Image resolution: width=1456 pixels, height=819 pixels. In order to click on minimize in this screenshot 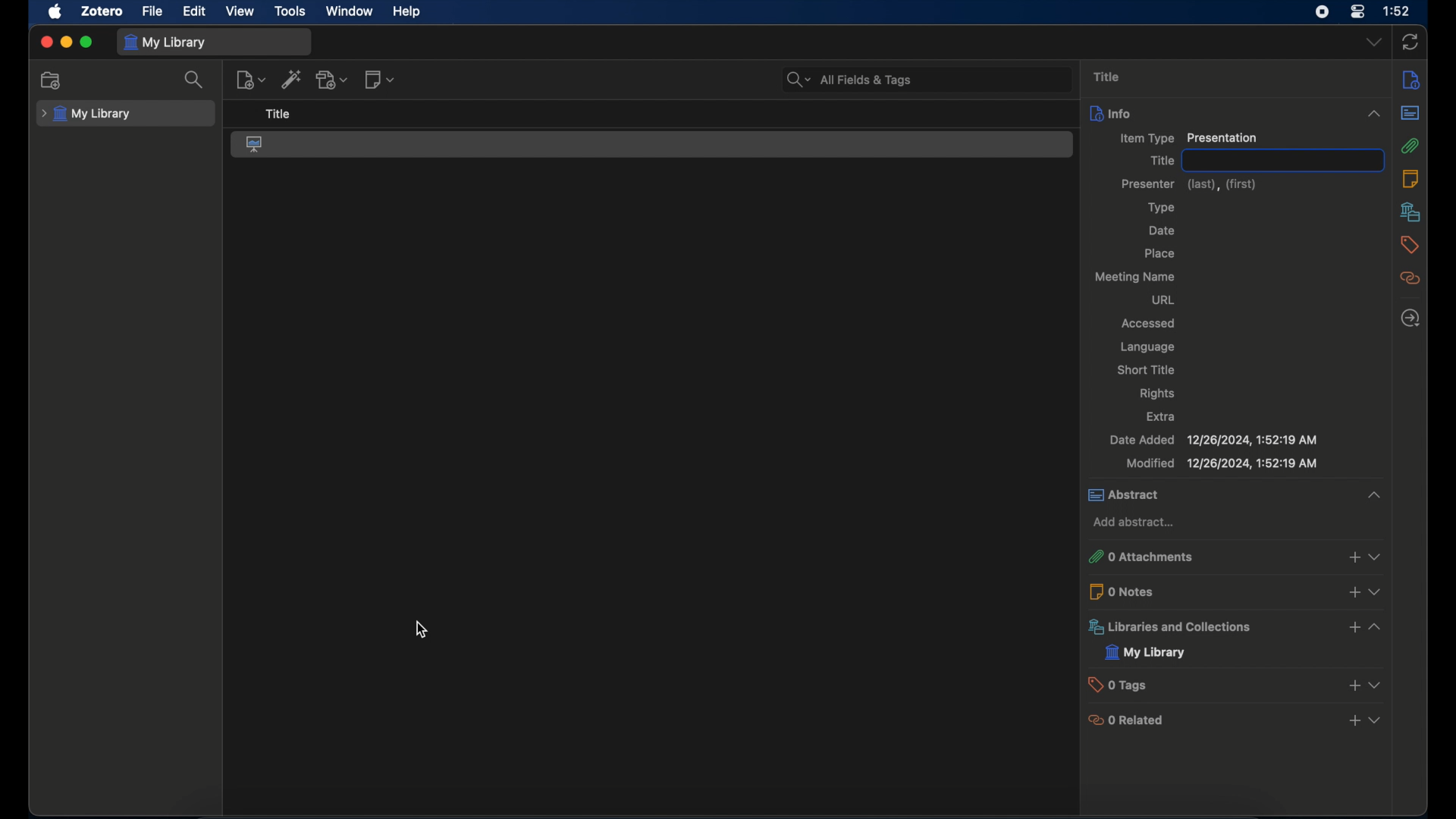, I will do `click(65, 42)`.